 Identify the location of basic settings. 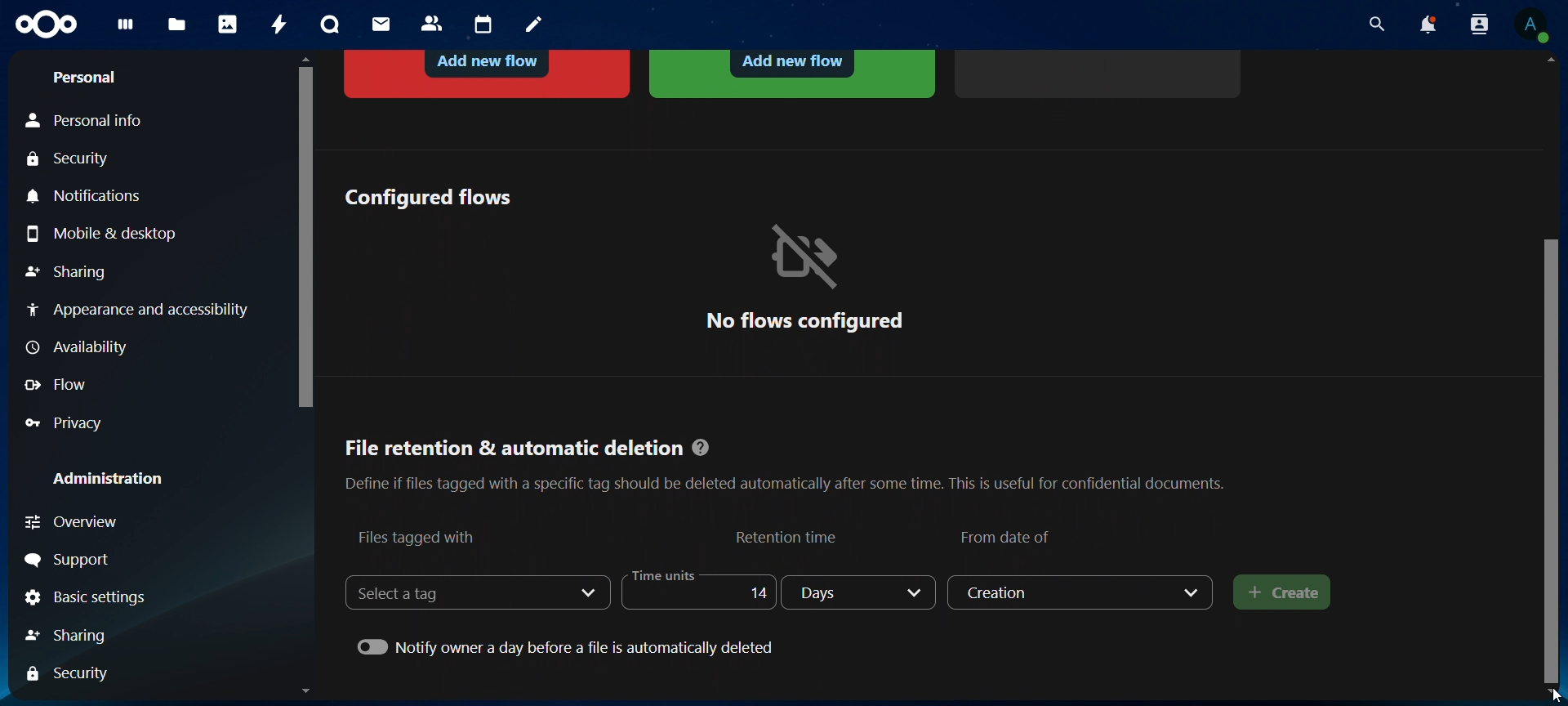
(87, 599).